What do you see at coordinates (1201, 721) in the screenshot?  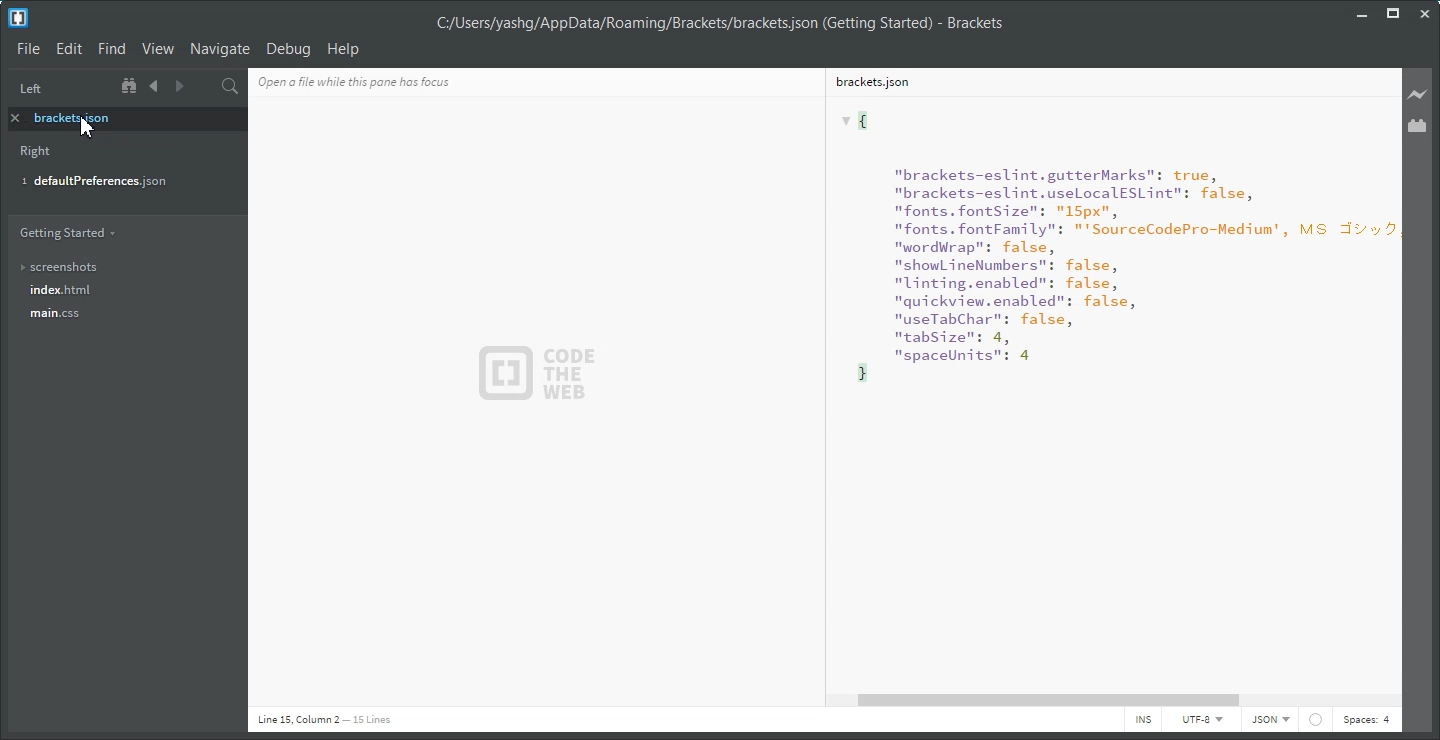 I see `UTF-8` at bounding box center [1201, 721].